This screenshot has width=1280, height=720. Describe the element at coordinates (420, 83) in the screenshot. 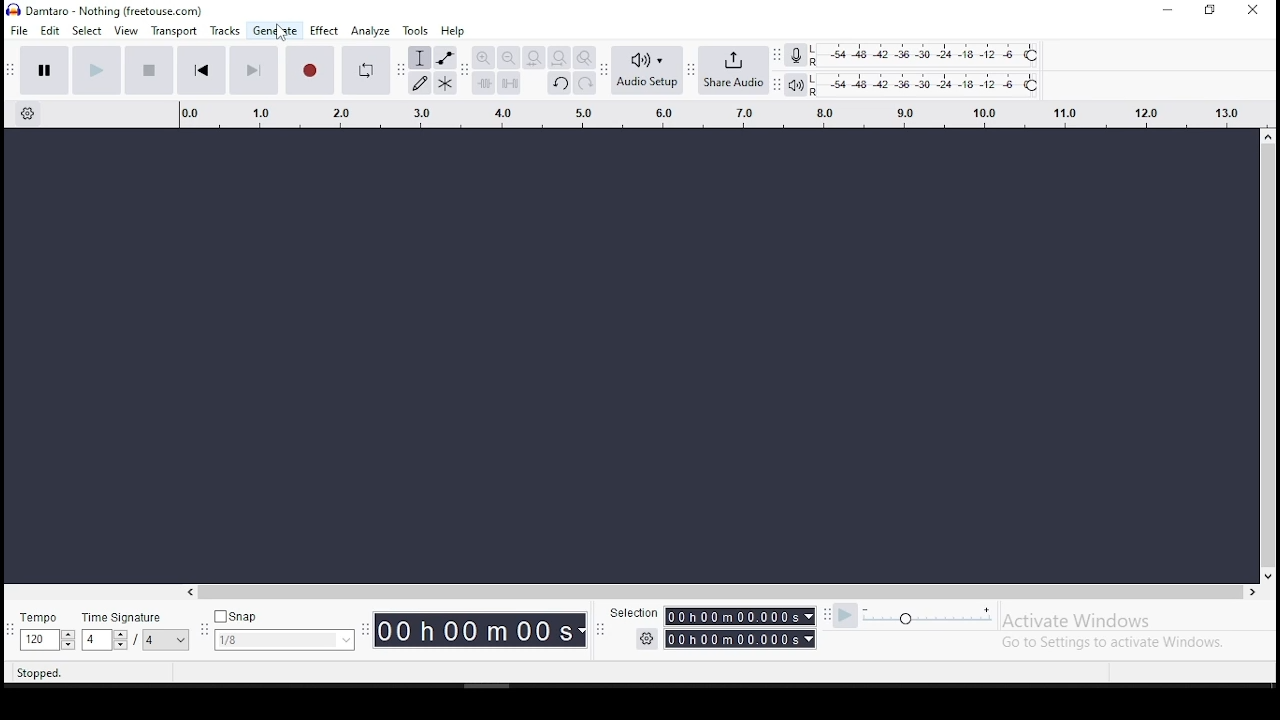

I see `draw tool` at that location.